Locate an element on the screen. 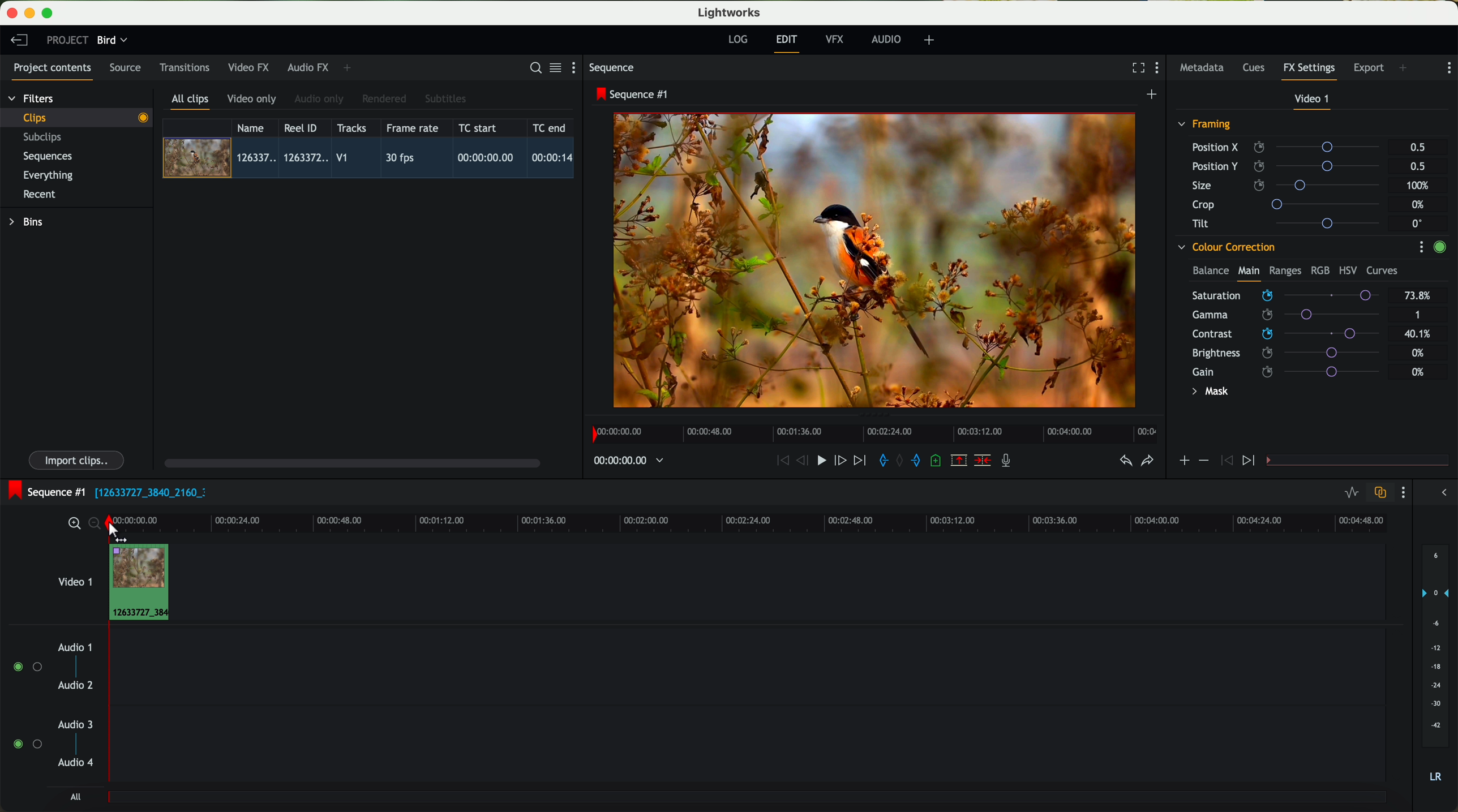  0% is located at coordinates (1420, 205).